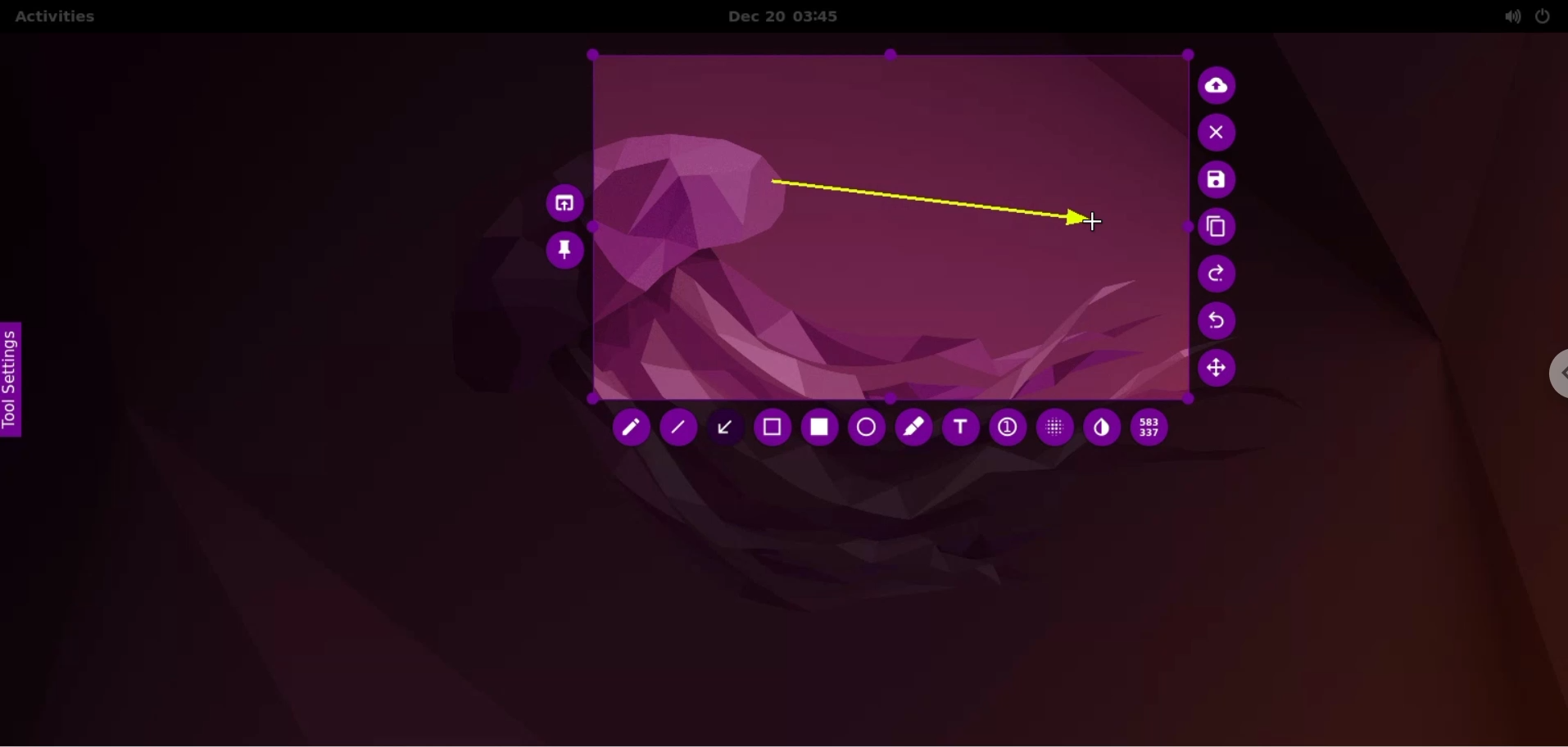 The image size is (1568, 747). Describe the element at coordinates (560, 200) in the screenshot. I see `choose app to open screenshot` at that location.